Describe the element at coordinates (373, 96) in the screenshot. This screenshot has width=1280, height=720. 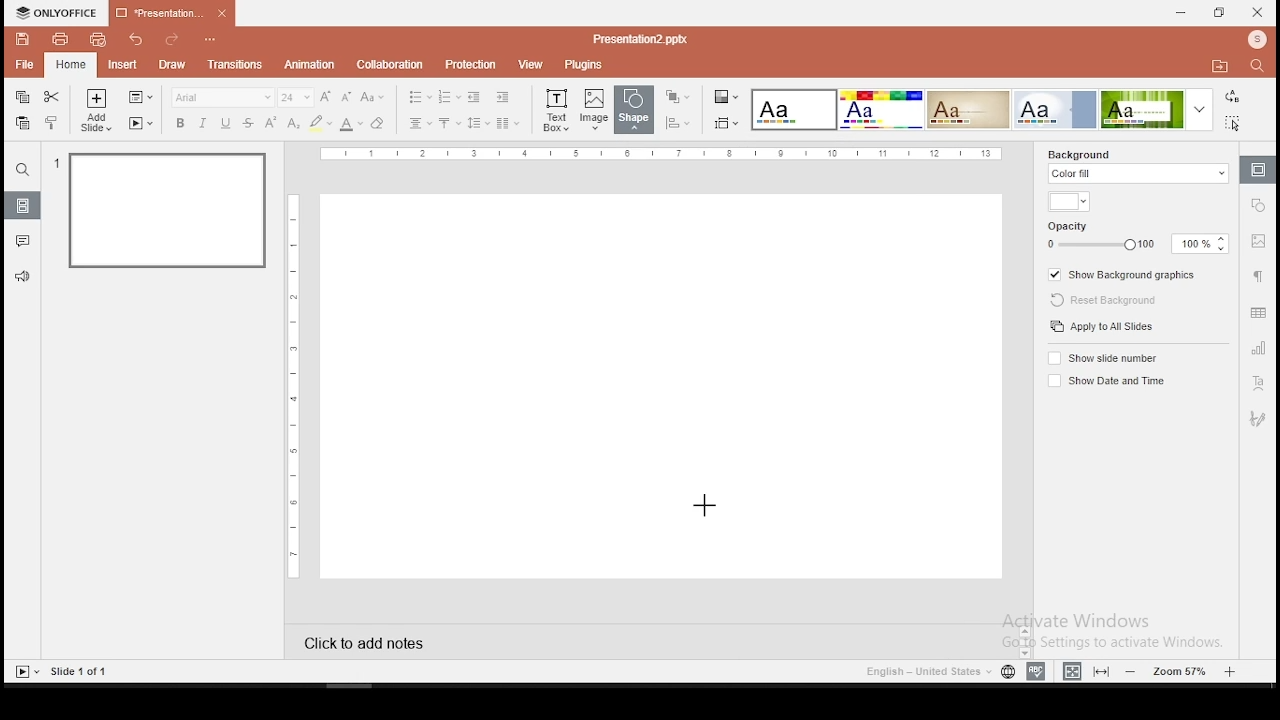
I see `change case` at that location.